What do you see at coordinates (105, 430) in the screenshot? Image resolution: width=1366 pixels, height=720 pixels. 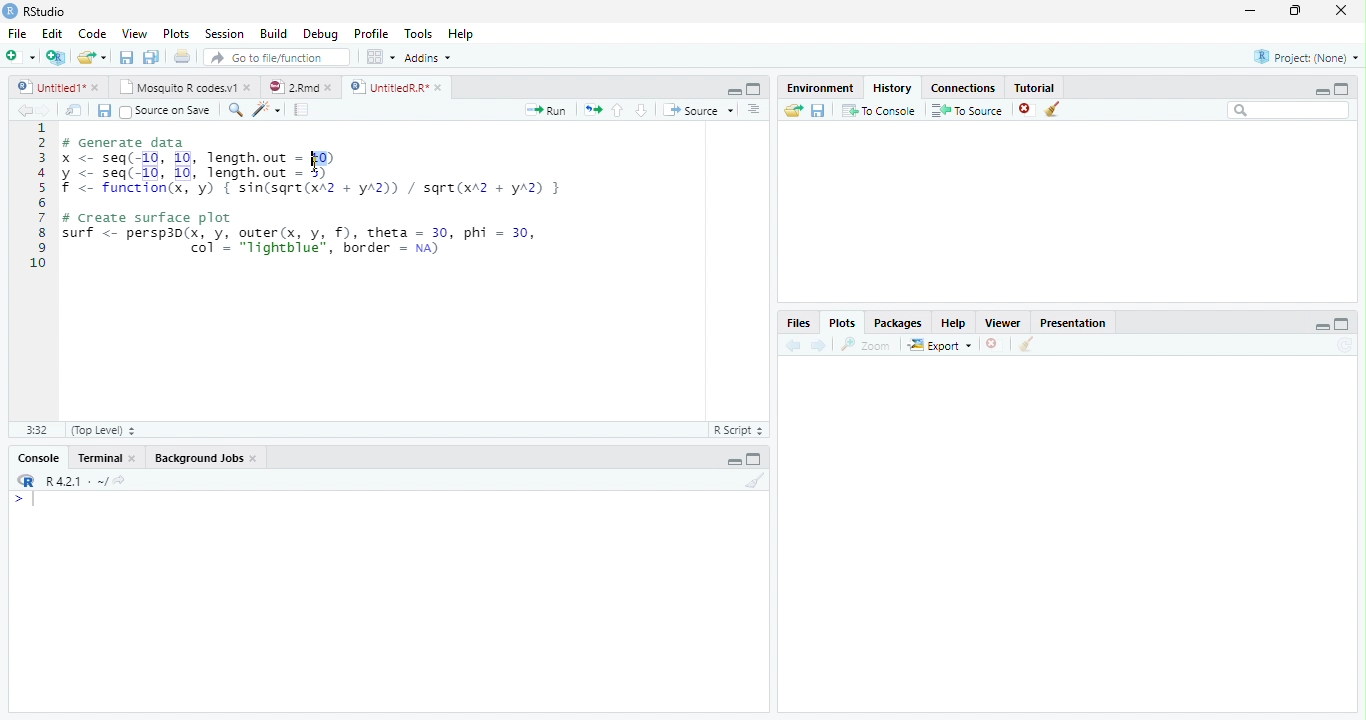 I see `(Top Level)` at bounding box center [105, 430].